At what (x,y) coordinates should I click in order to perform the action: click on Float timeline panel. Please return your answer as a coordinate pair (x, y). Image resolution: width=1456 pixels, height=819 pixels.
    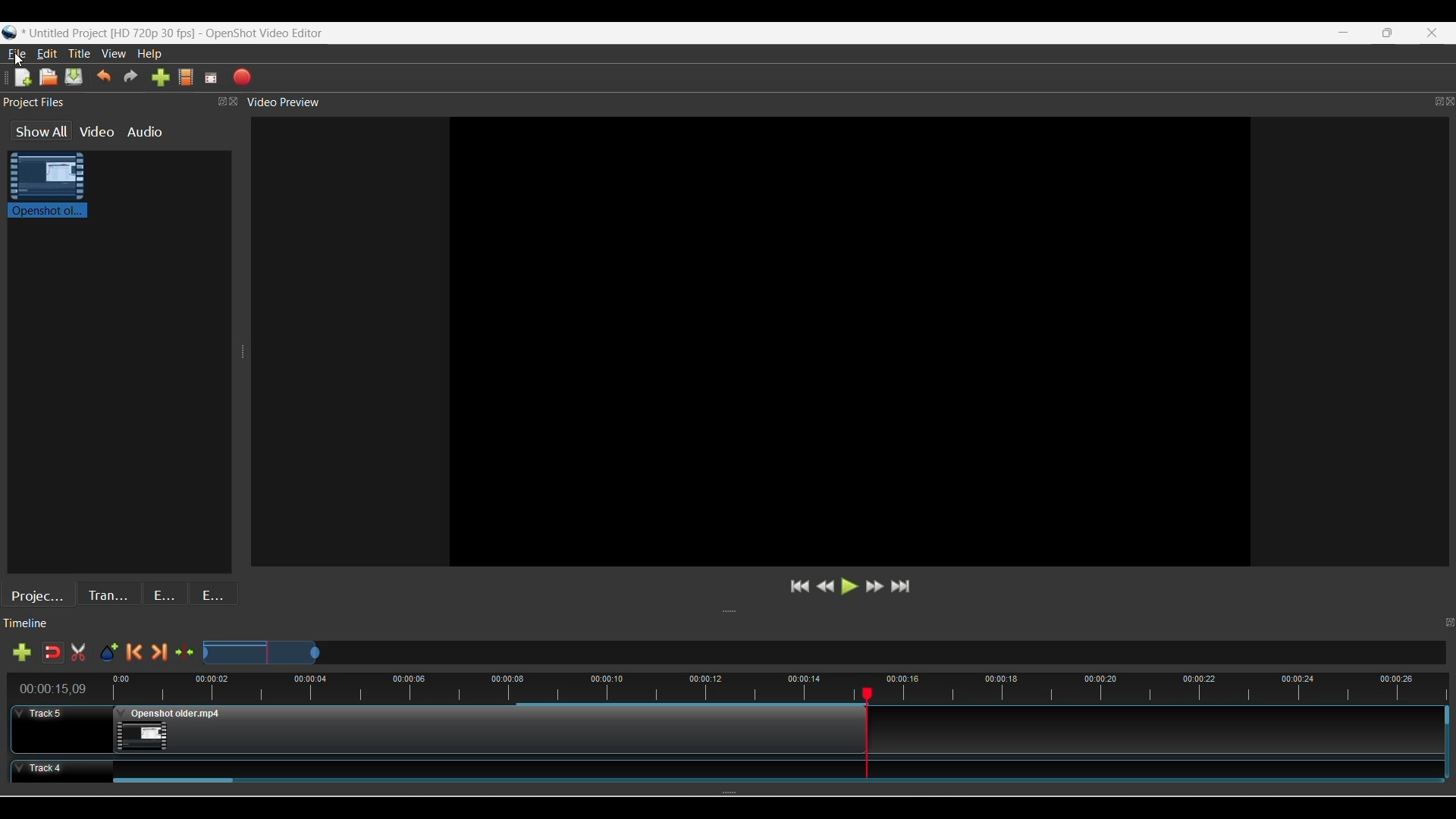
    Looking at the image, I should click on (1450, 623).